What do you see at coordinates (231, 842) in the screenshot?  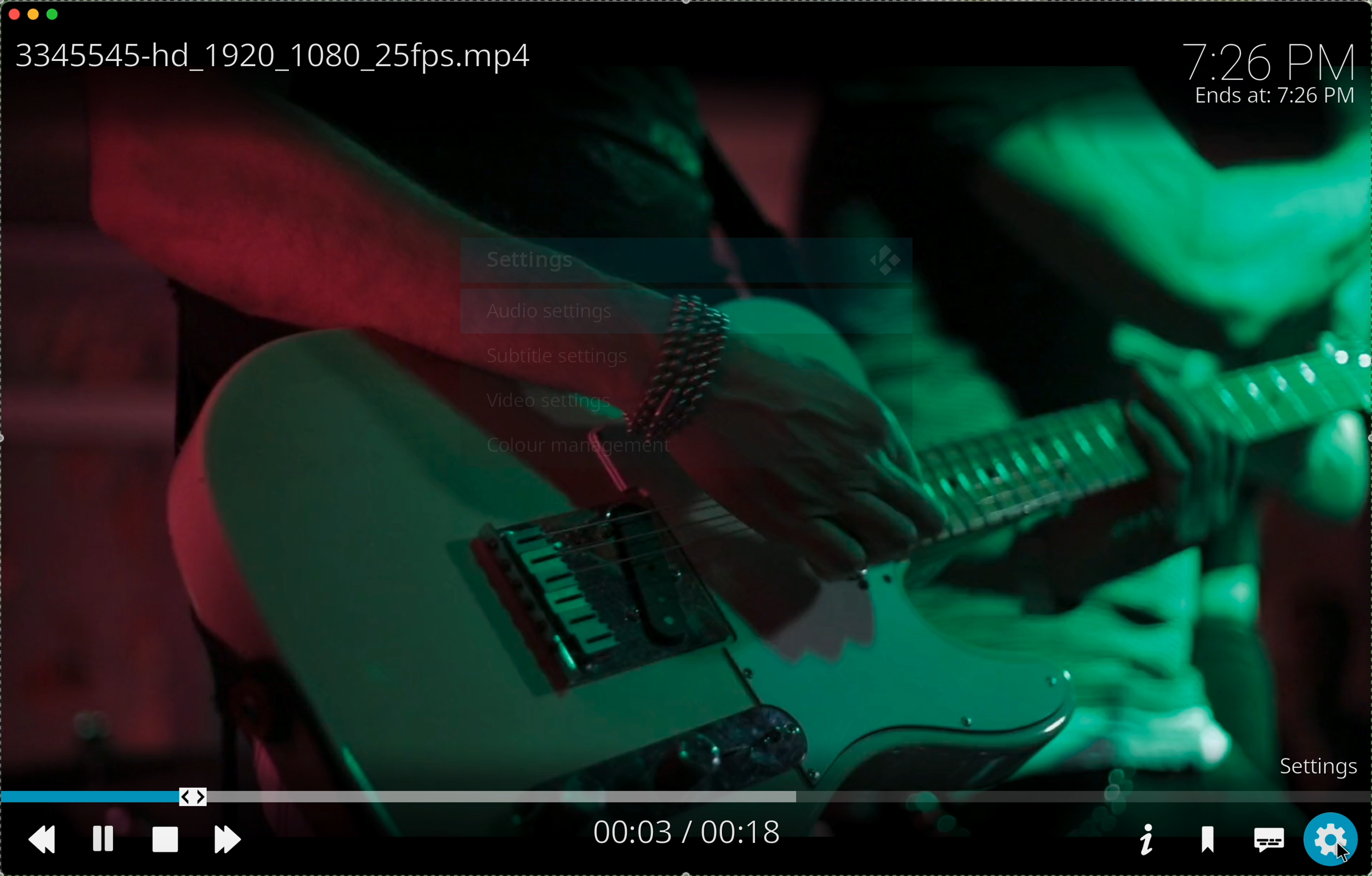 I see `move foward` at bounding box center [231, 842].